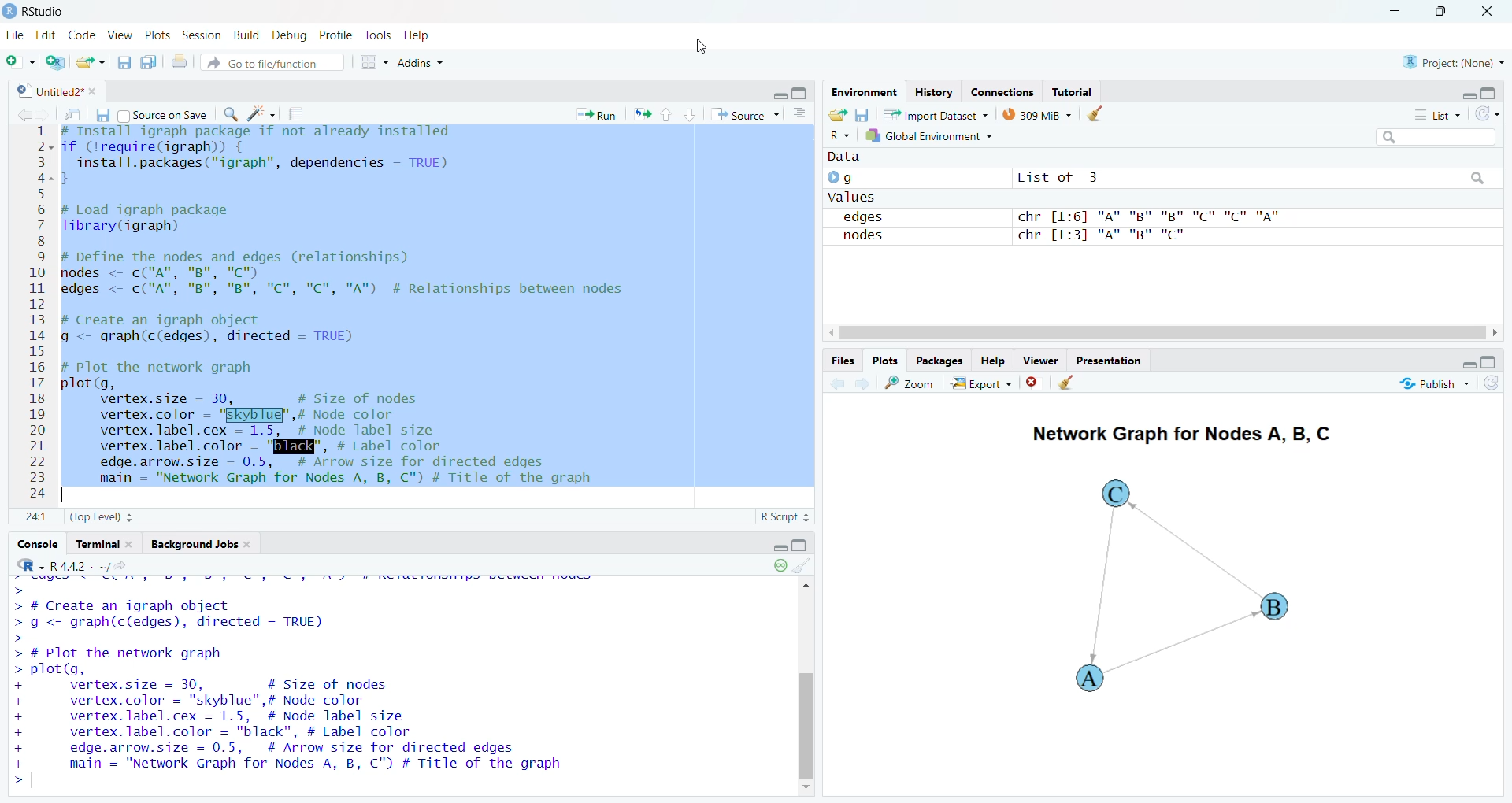  What do you see at coordinates (200, 35) in the screenshot?
I see `Session` at bounding box center [200, 35].